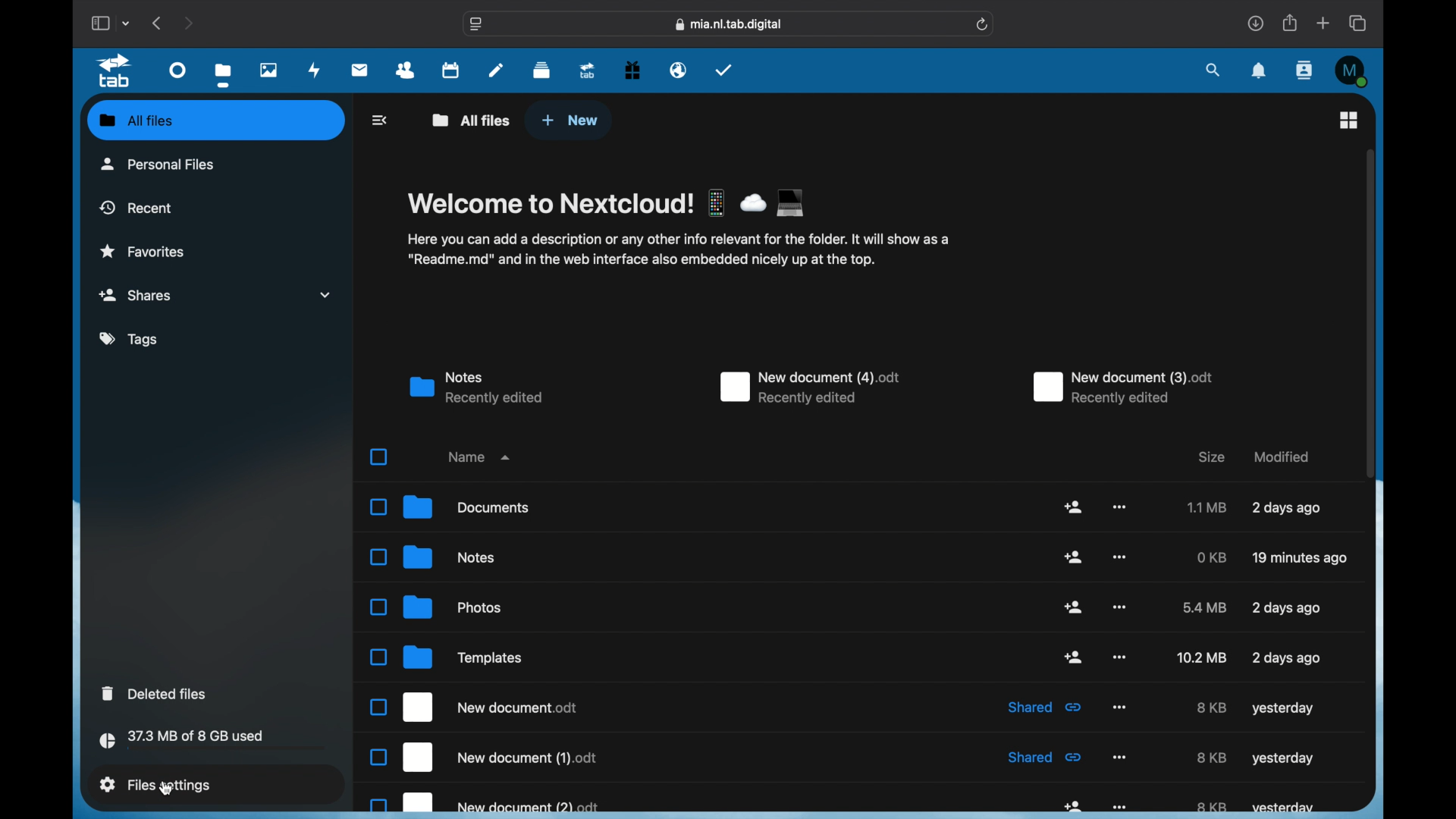 This screenshot has width=1456, height=819. What do you see at coordinates (678, 251) in the screenshot?
I see `info` at bounding box center [678, 251].